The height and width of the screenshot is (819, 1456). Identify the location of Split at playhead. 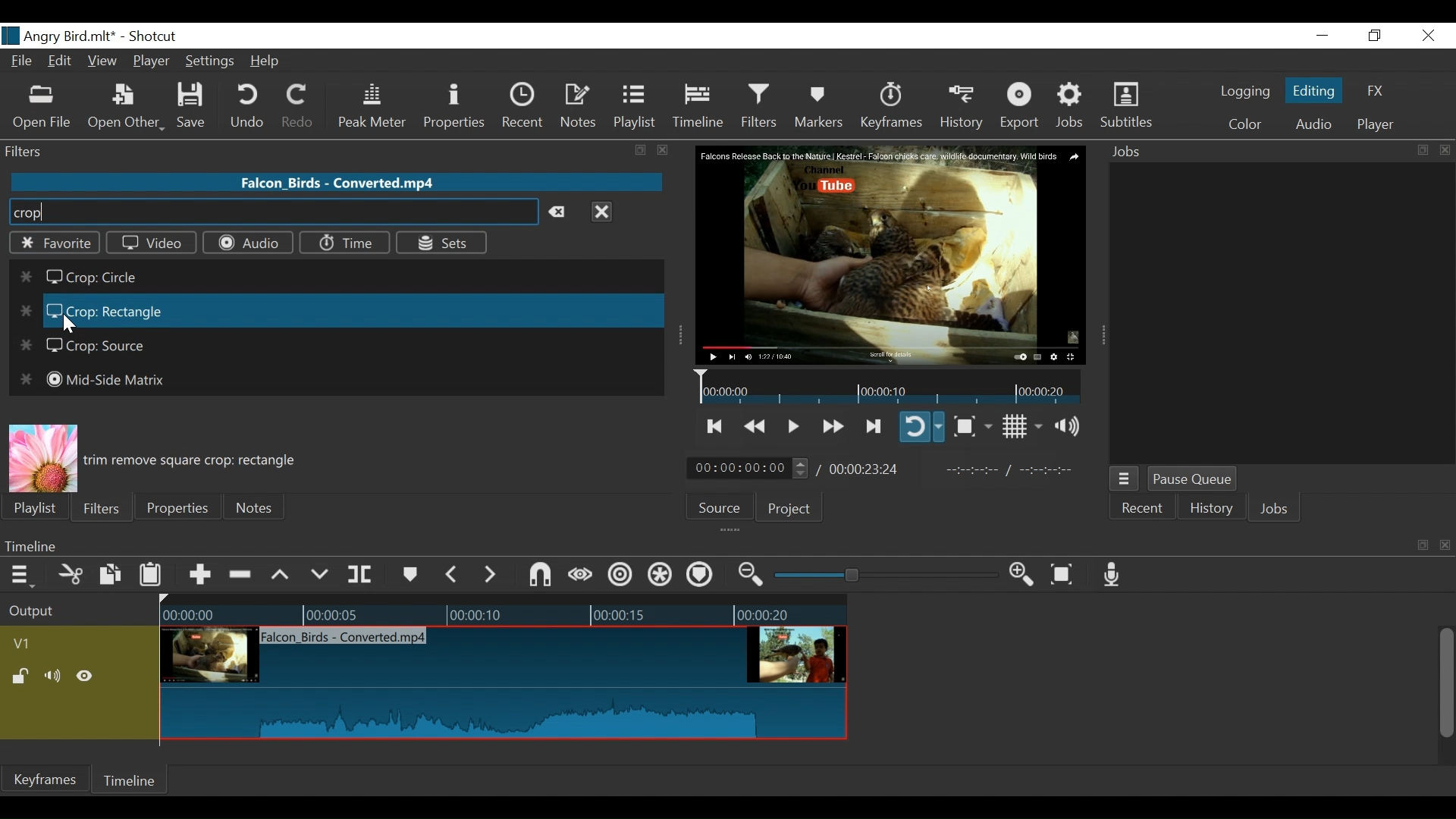
(360, 575).